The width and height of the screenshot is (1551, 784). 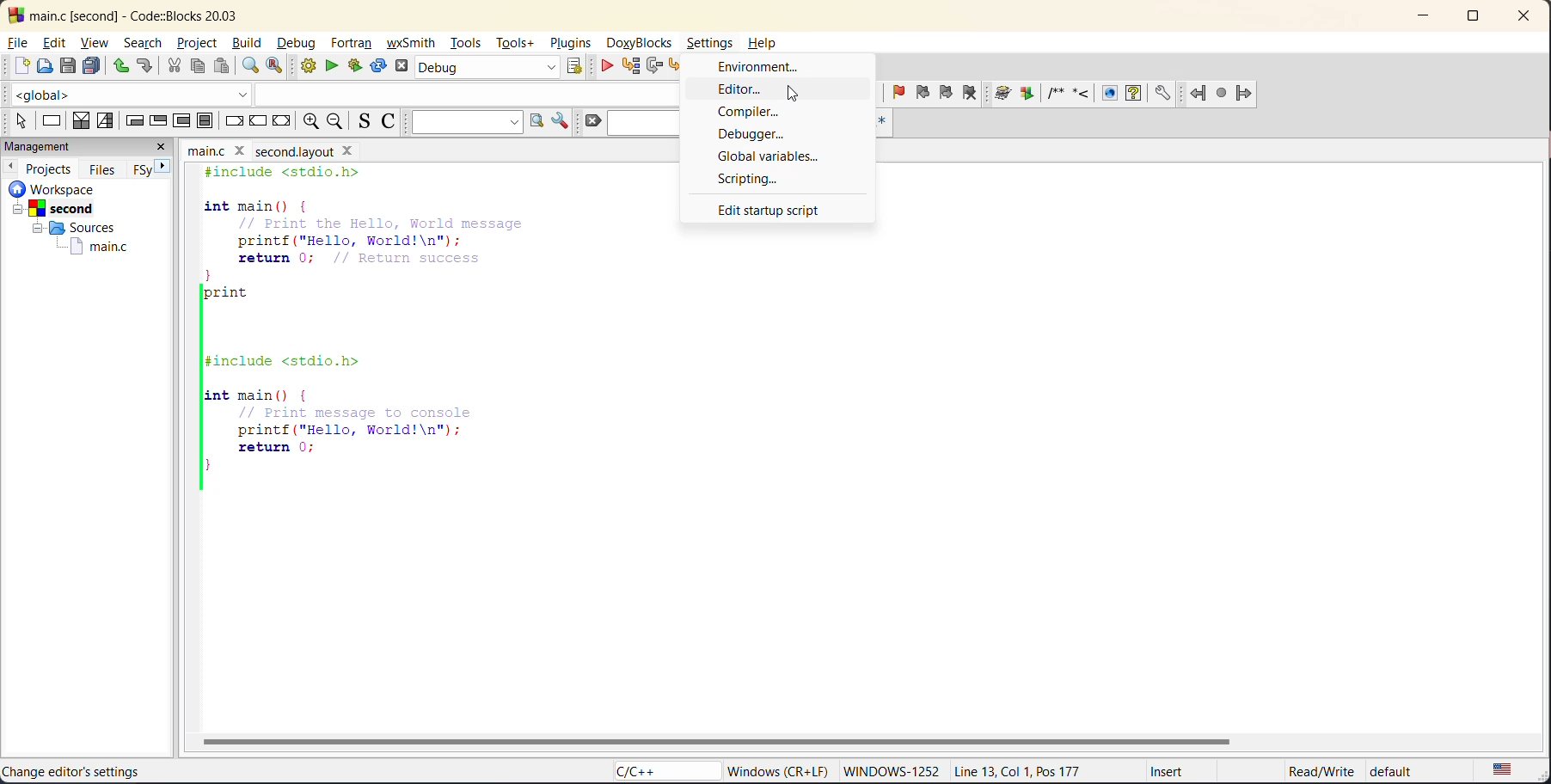 I want to click on edit startup script, so click(x=769, y=210).